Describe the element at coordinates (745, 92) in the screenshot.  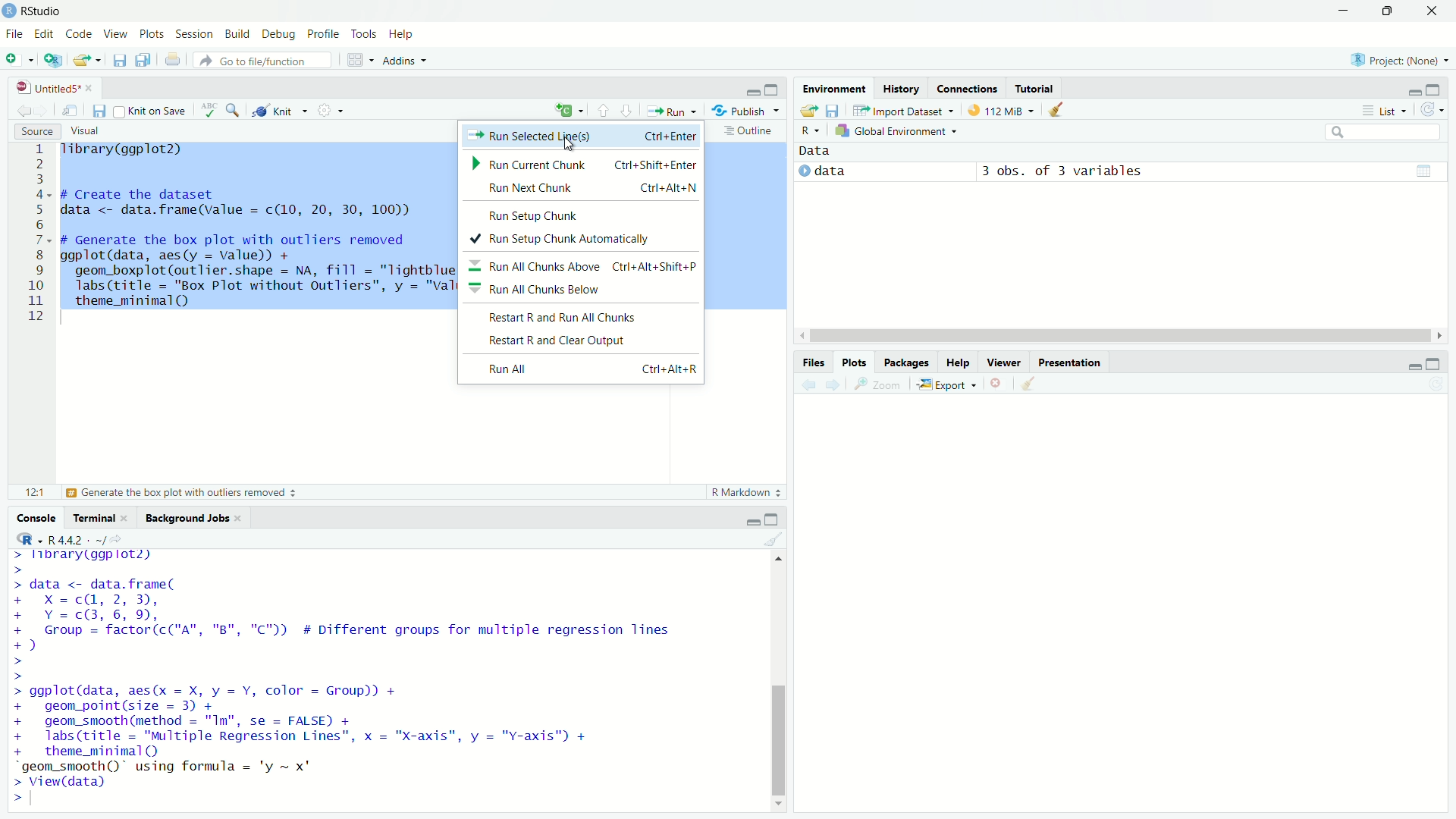
I see `minimise` at that location.